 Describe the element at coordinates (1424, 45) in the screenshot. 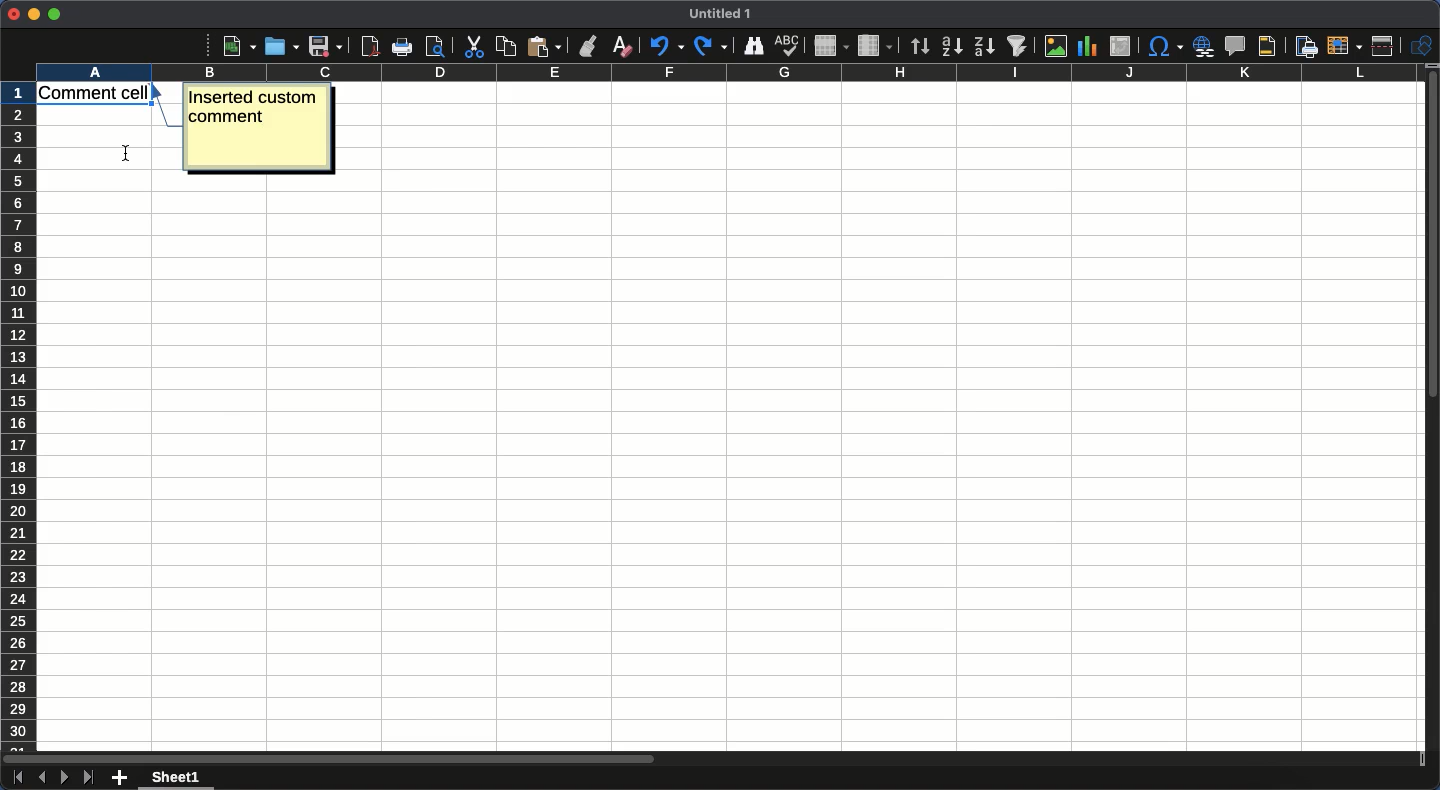

I see `Shapes` at that location.